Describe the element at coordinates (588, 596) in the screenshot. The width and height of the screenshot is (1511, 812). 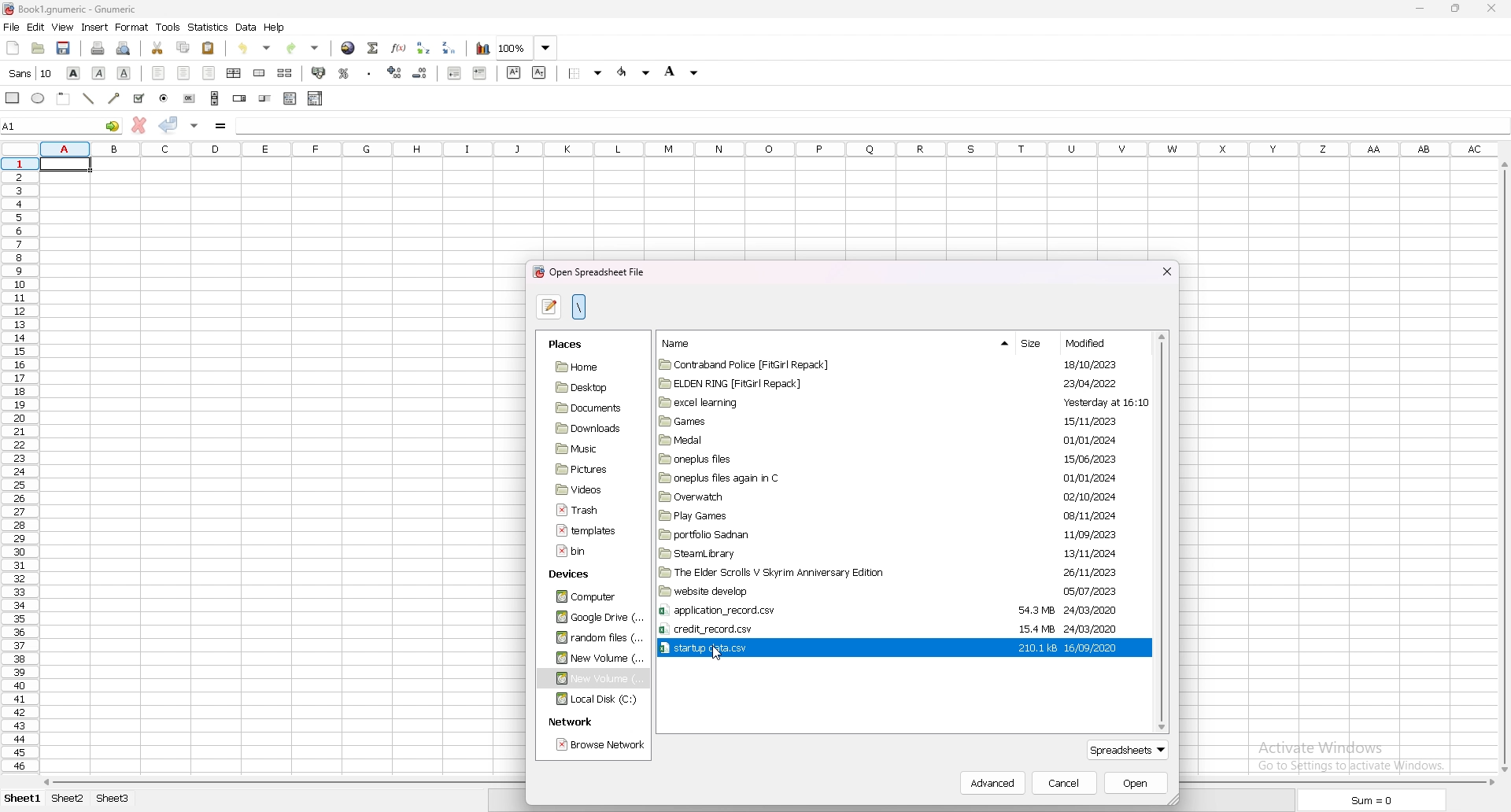
I see `folder` at that location.